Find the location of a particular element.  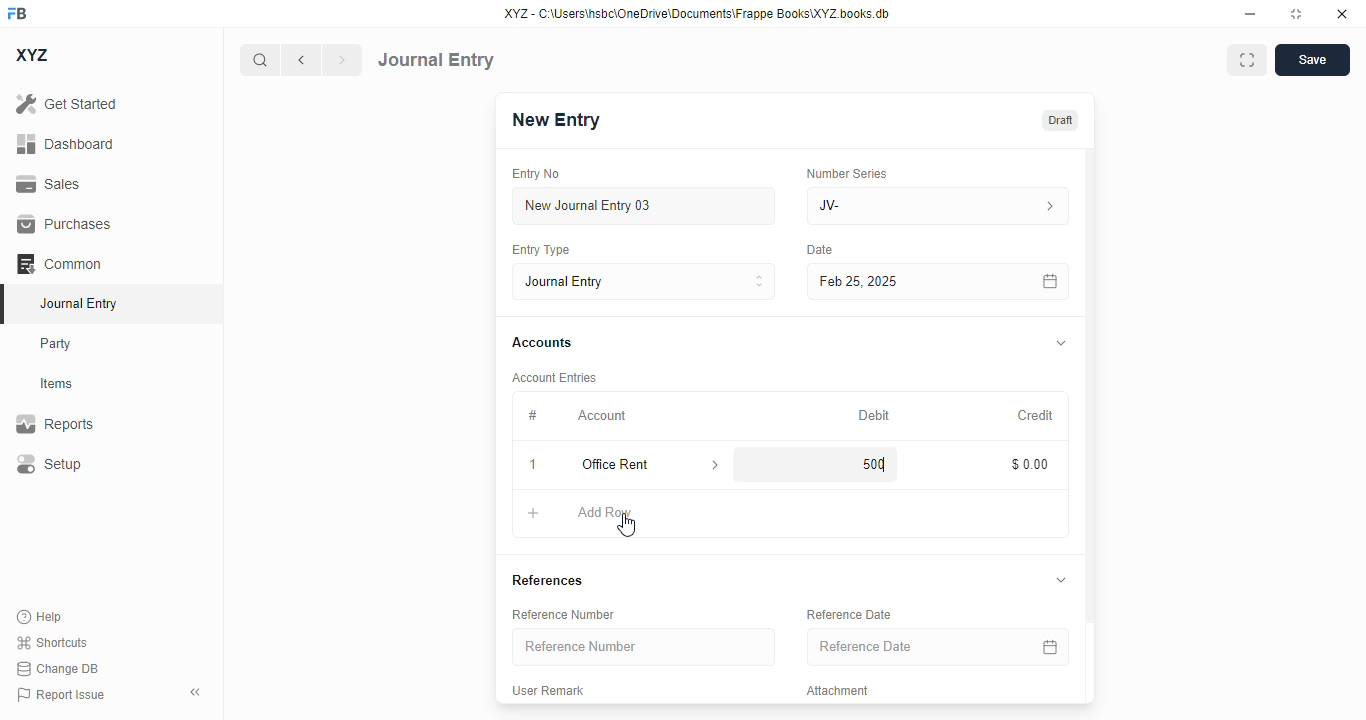

close is located at coordinates (1342, 13).